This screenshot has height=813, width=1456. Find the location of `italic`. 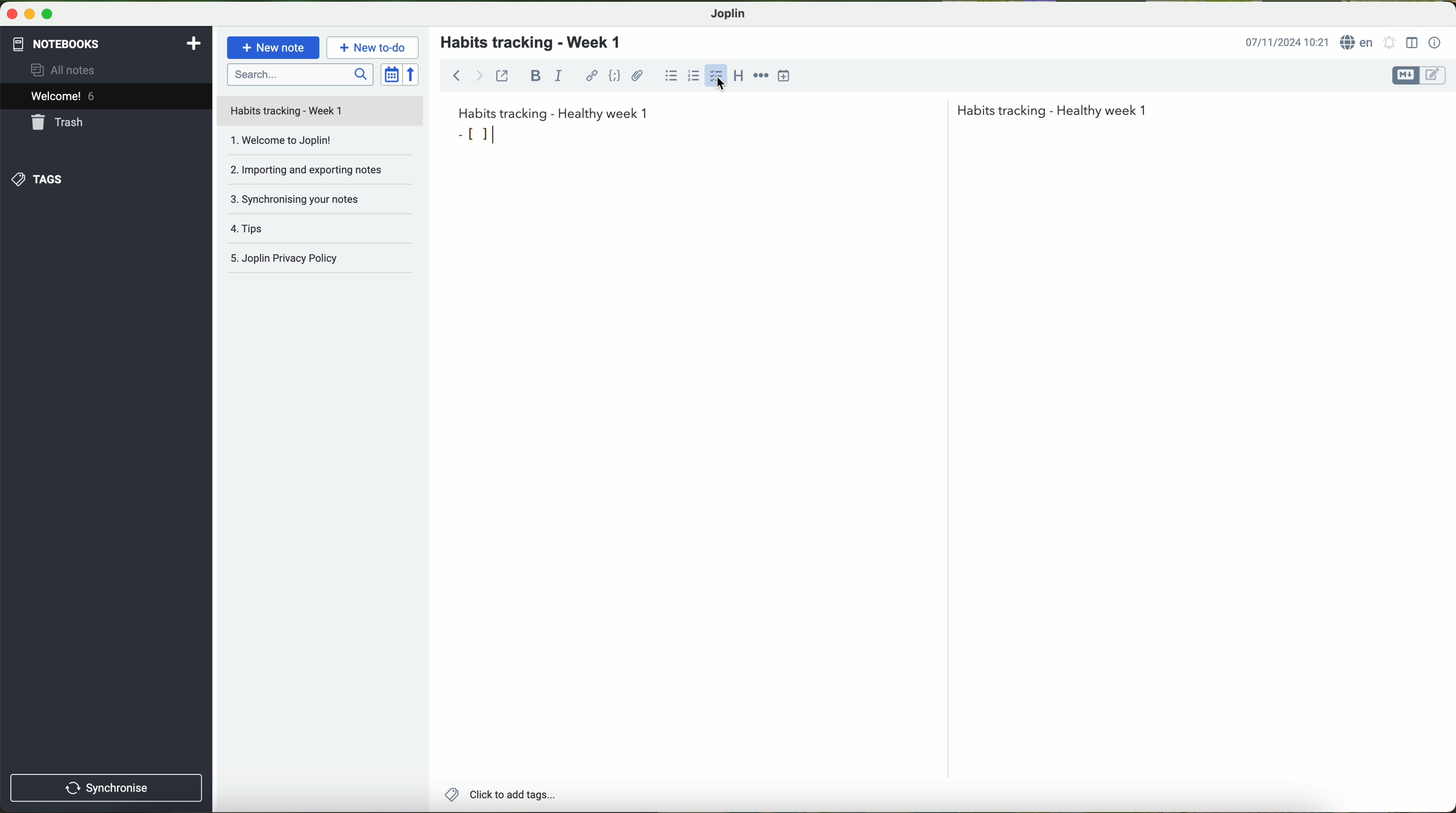

italic is located at coordinates (558, 75).